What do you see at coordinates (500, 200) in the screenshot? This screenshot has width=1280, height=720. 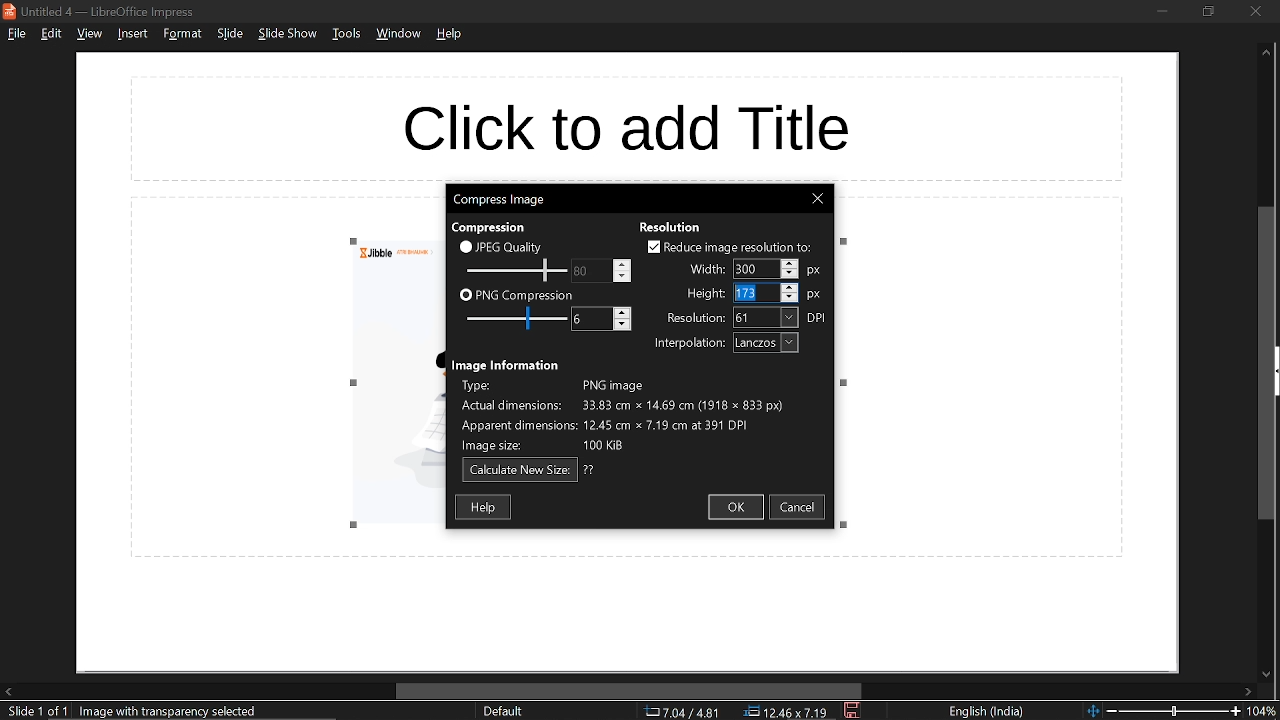 I see `current window` at bounding box center [500, 200].